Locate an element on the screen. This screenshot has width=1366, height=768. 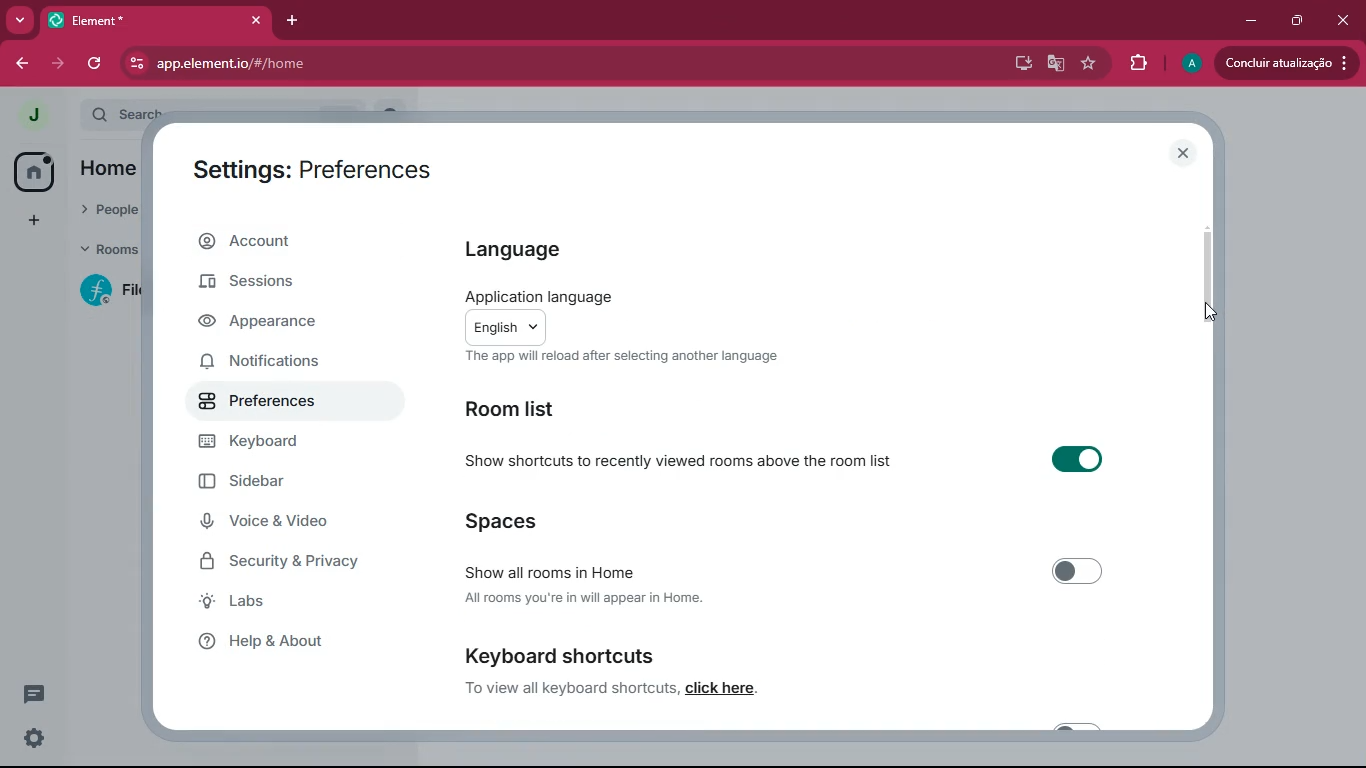
application language is located at coordinates (536, 294).